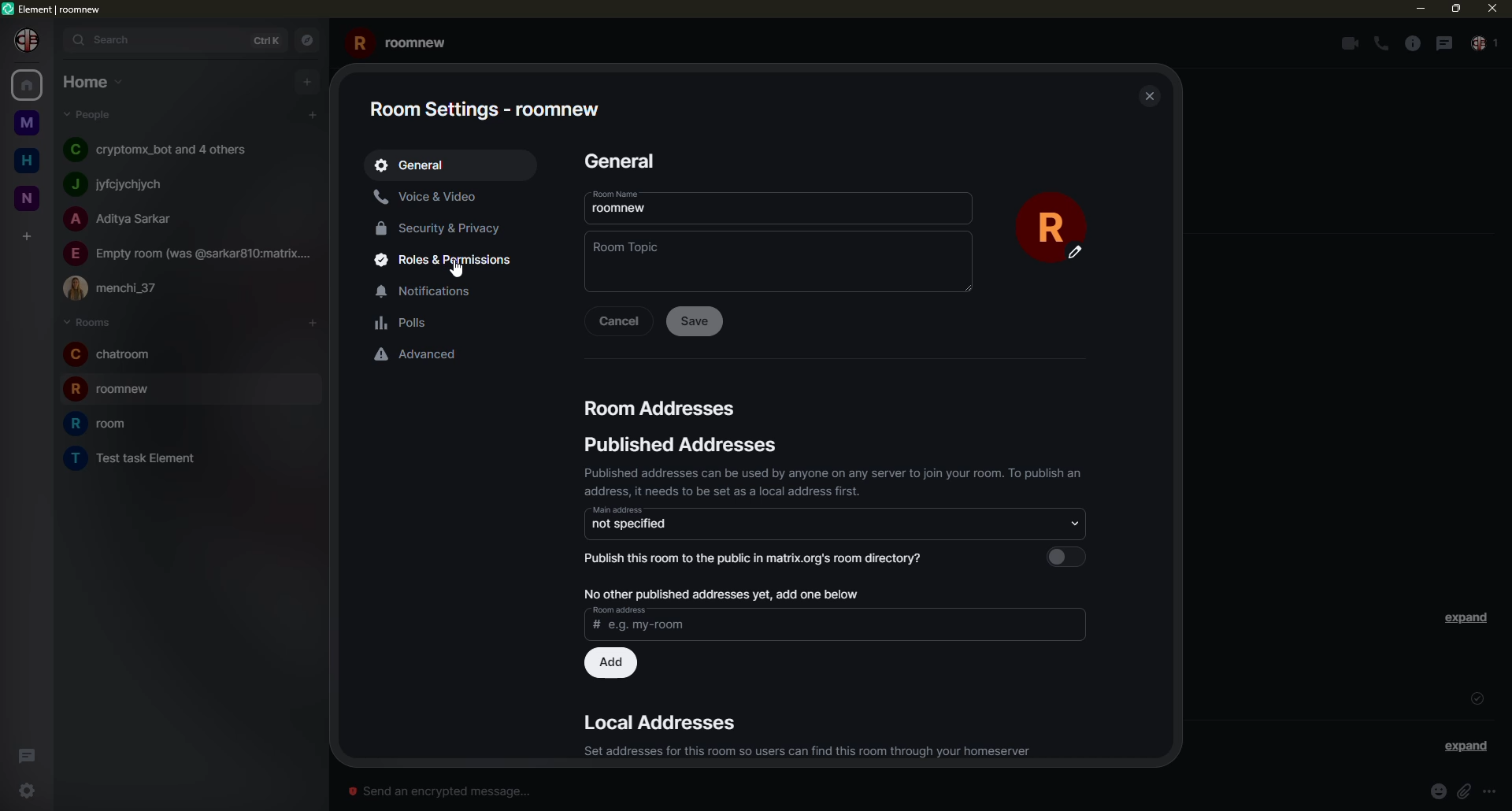 Image resolution: width=1512 pixels, height=811 pixels. Describe the element at coordinates (93, 82) in the screenshot. I see `home` at that location.